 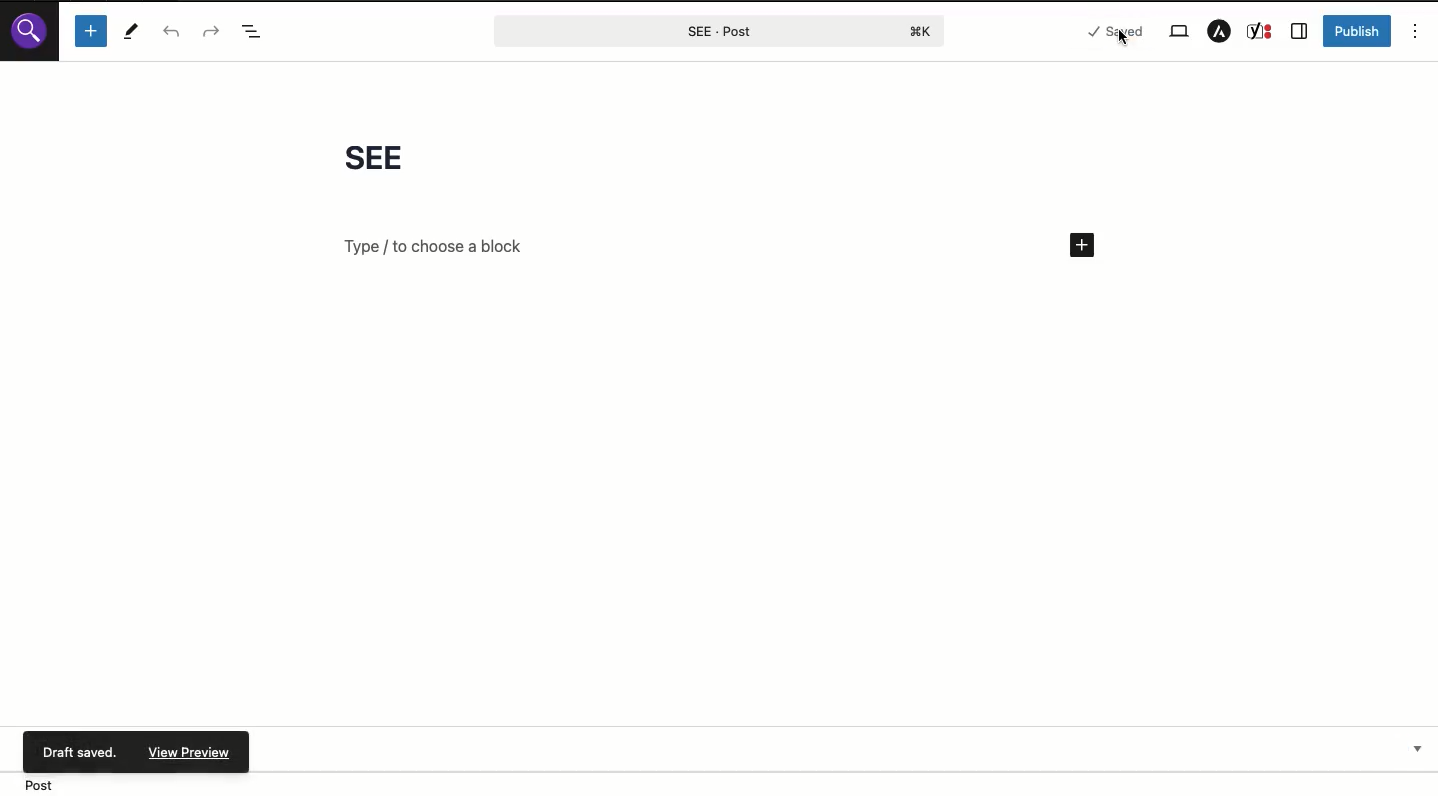 What do you see at coordinates (172, 31) in the screenshot?
I see `Undo` at bounding box center [172, 31].